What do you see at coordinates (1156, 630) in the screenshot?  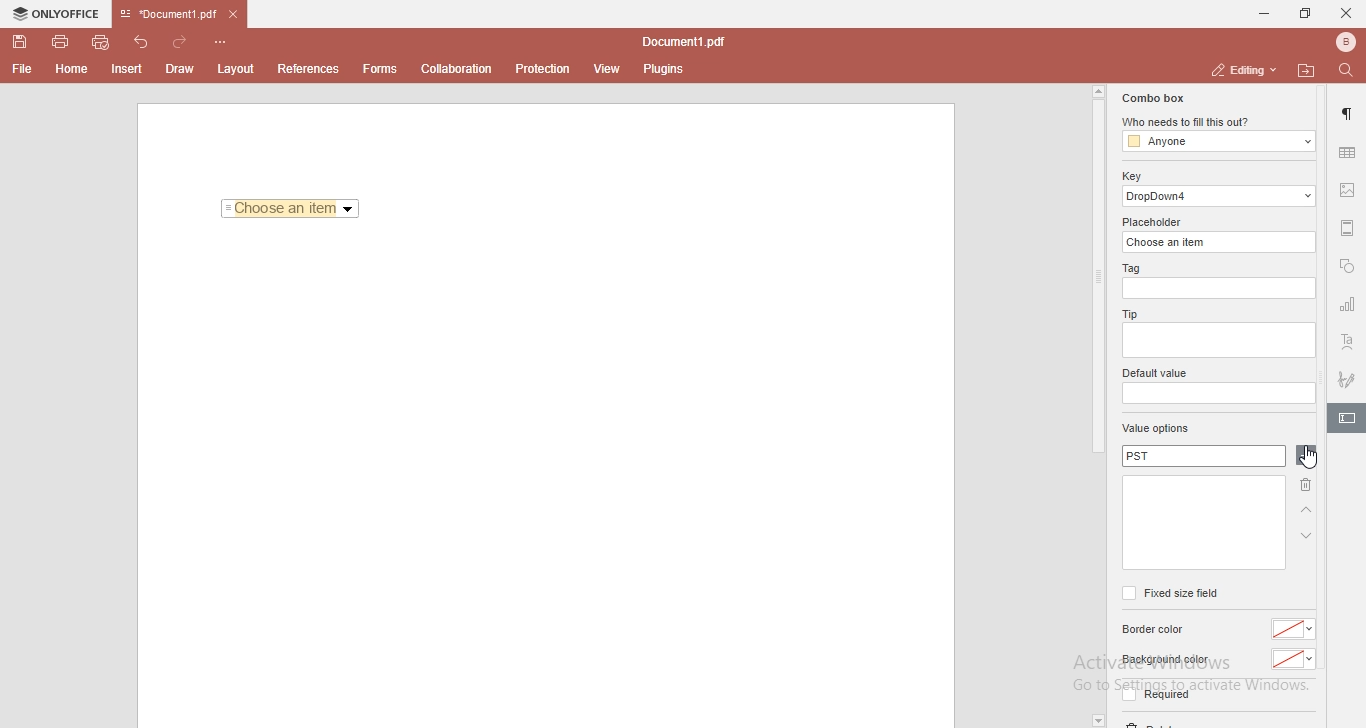 I see `border color` at bounding box center [1156, 630].